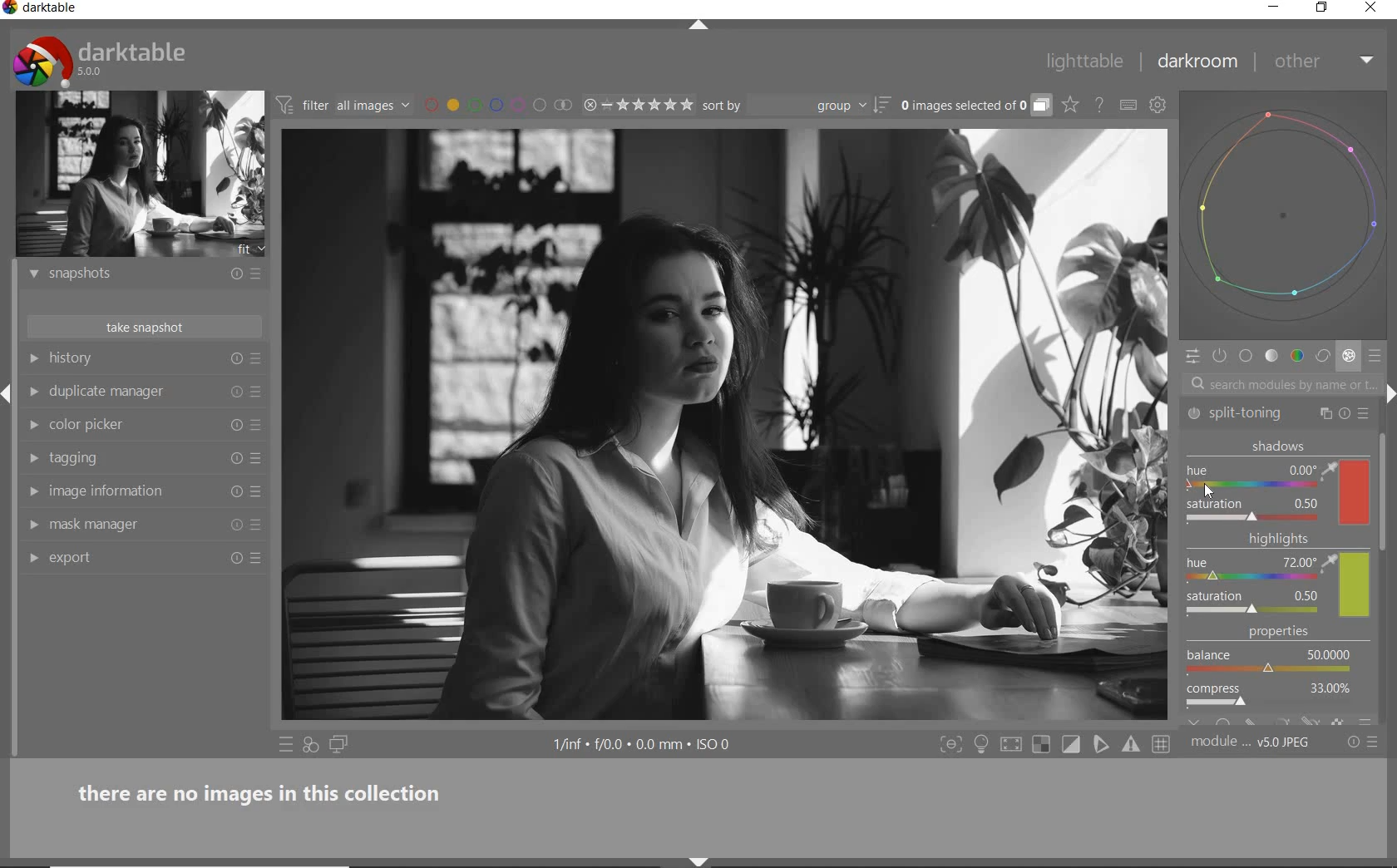 Image resolution: width=1397 pixels, height=868 pixels. What do you see at coordinates (135, 426) in the screenshot?
I see `color picker` at bounding box center [135, 426].